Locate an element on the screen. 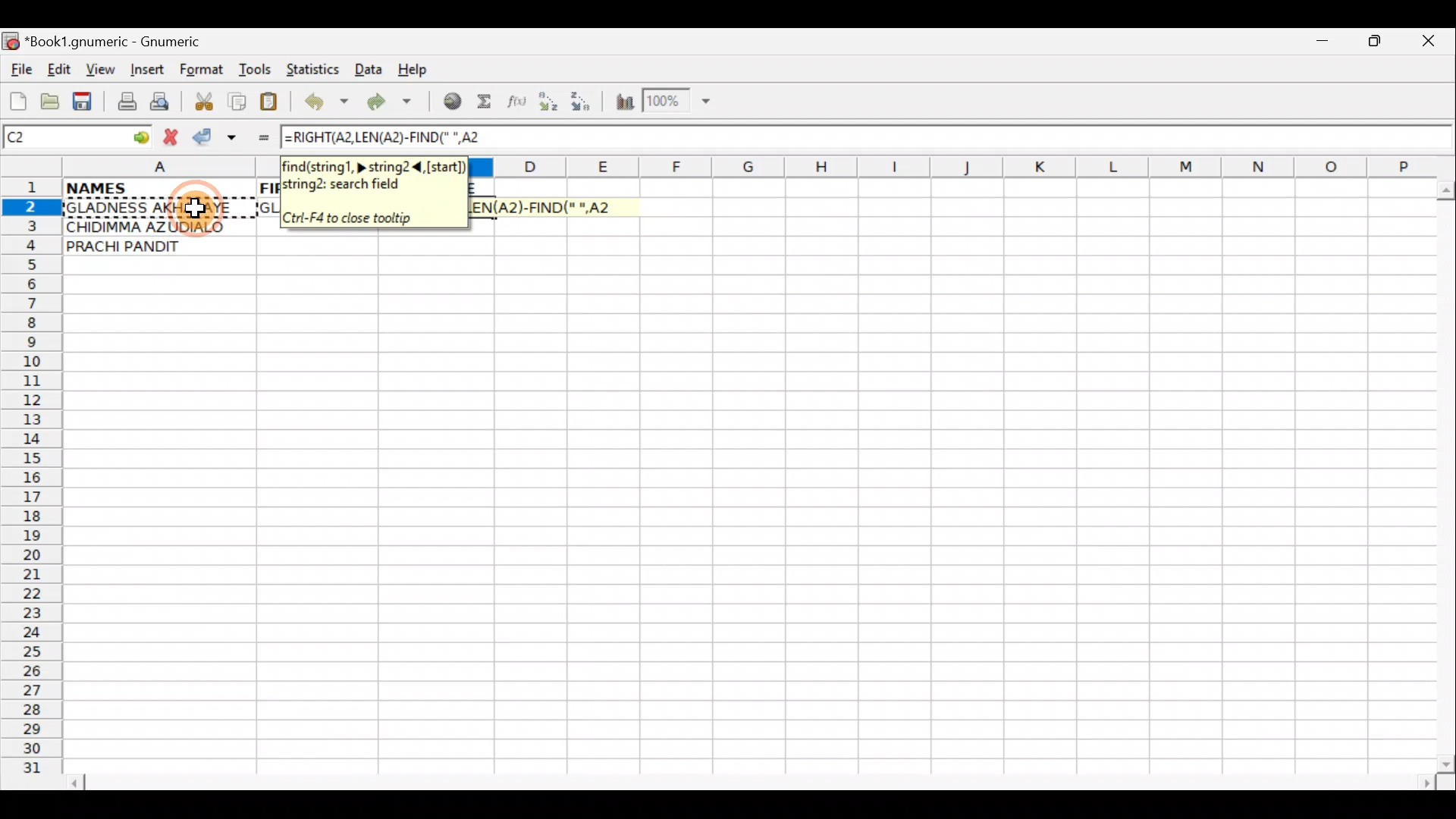 Image resolution: width=1456 pixels, height=819 pixels. =RIGHT(A2,LEN(A2)-FIND(" ",A2 is located at coordinates (550, 207).